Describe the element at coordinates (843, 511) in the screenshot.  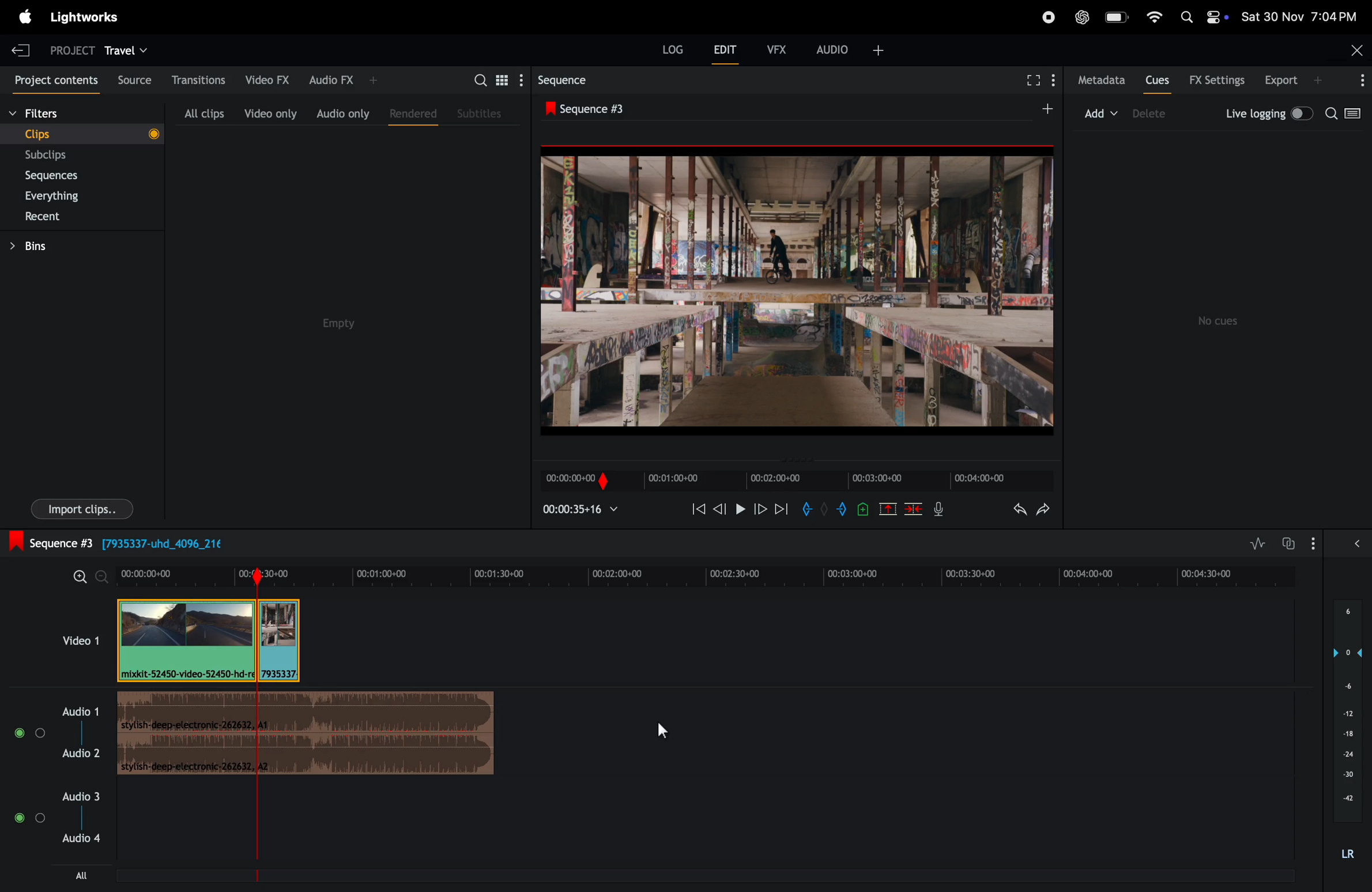
I see `add out` at that location.